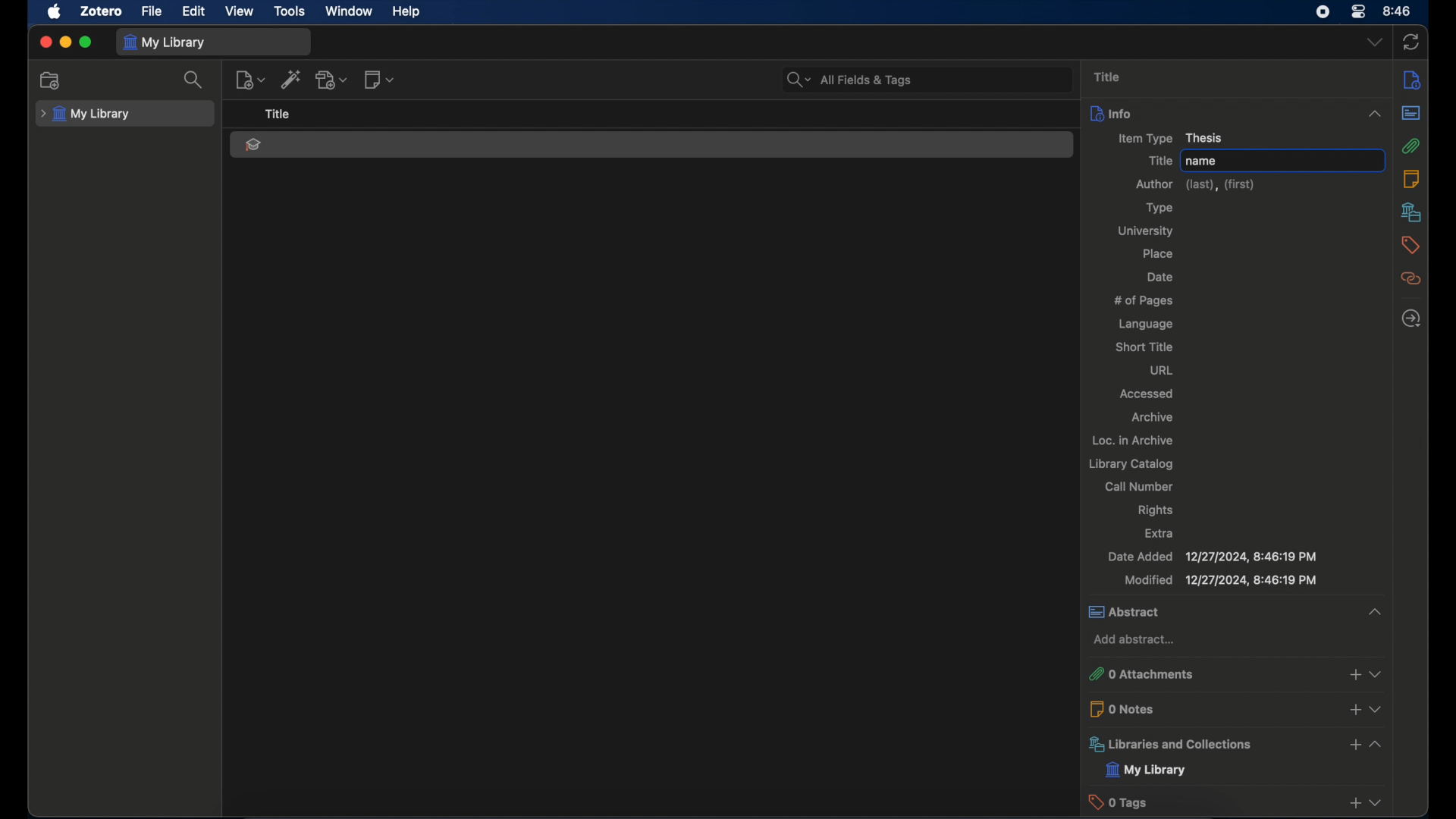 This screenshot has height=819, width=1456. What do you see at coordinates (151, 11) in the screenshot?
I see `file` at bounding box center [151, 11].